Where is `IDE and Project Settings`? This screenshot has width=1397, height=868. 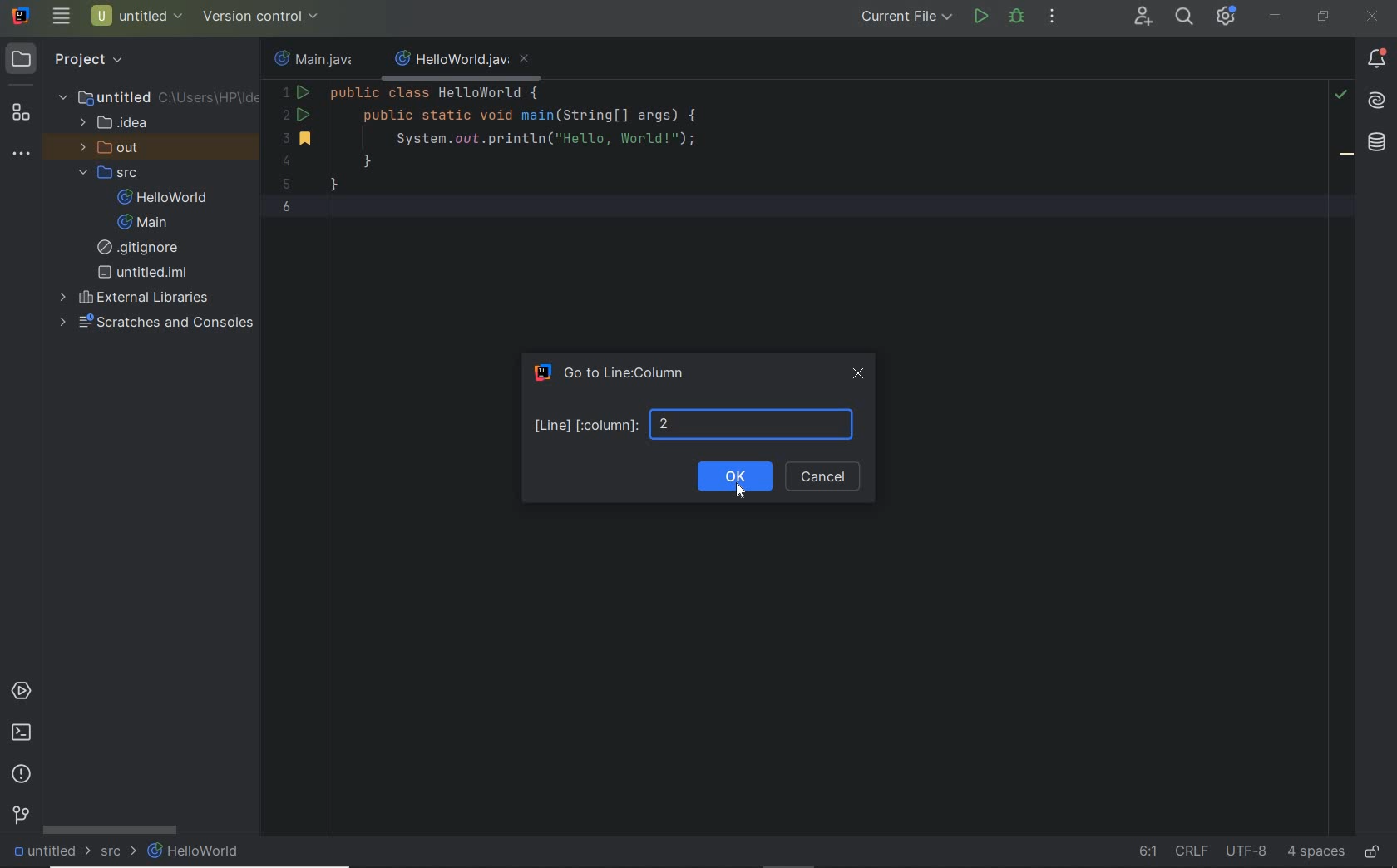
IDE and Project Settings is located at coordinates (1224, 16).